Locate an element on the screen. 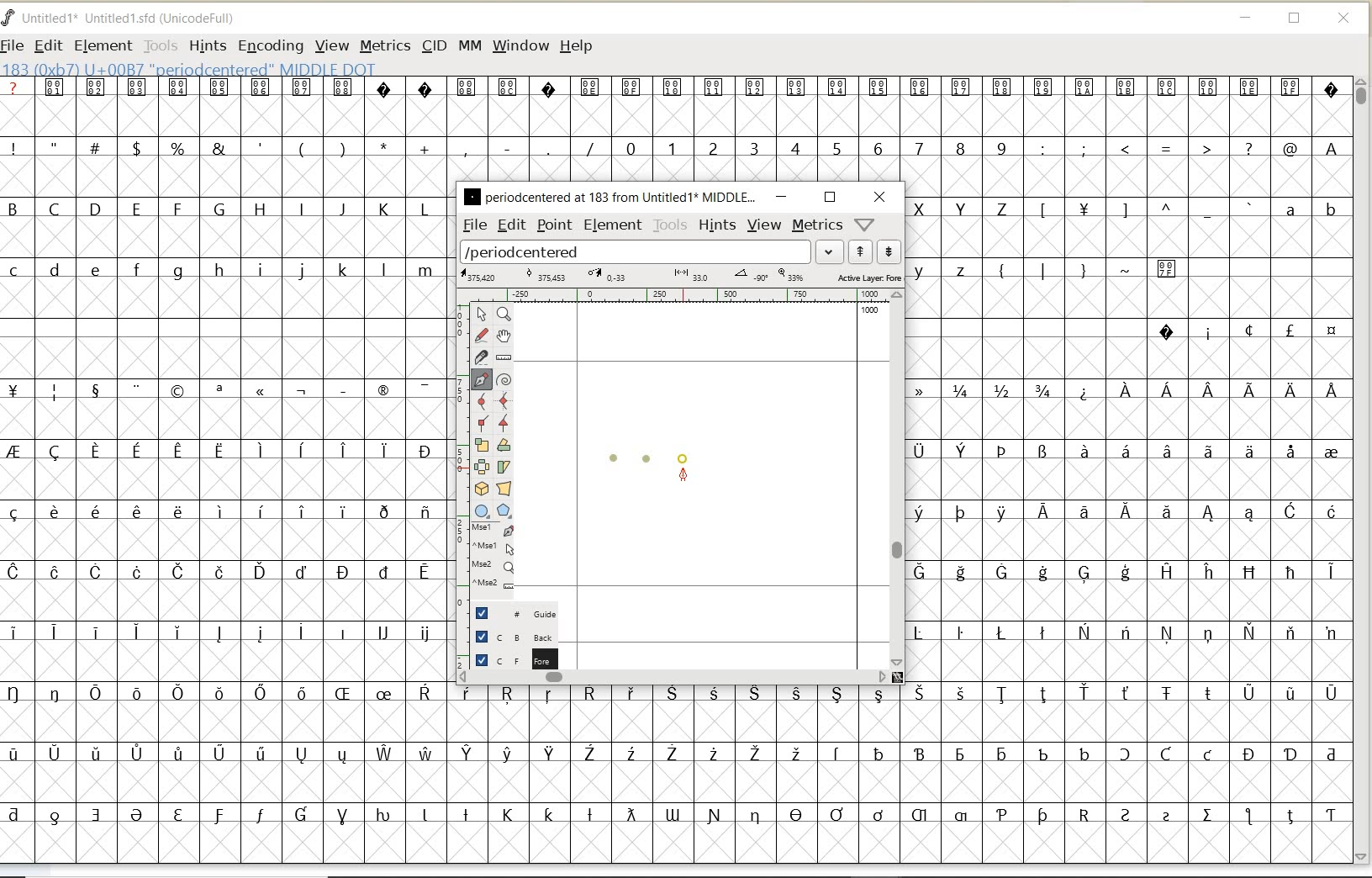 The height and width of the screenshot is (878, 1372). measure a distance, angle between points is located at coordinates (504, 357).